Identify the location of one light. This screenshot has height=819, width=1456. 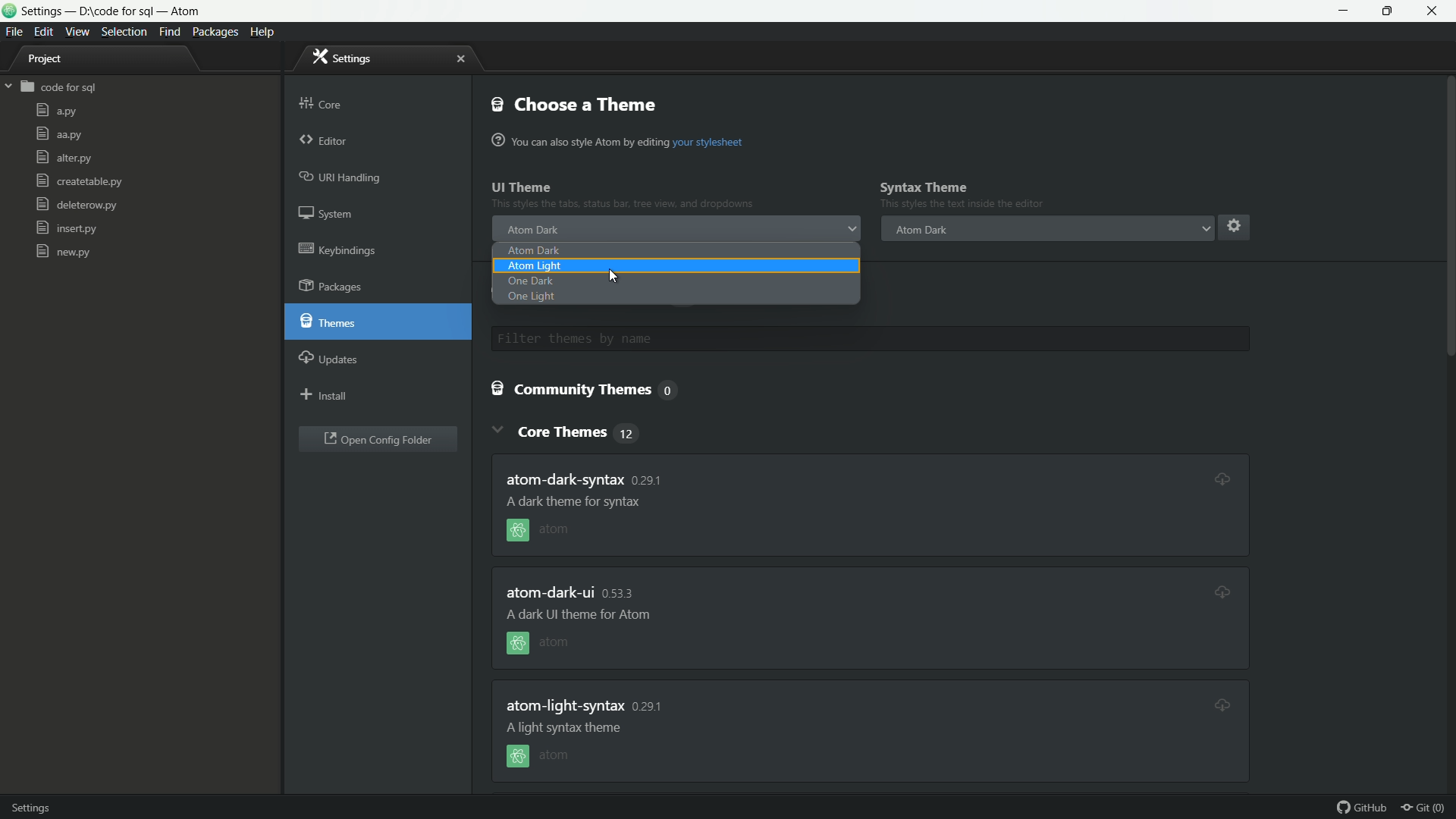
(532, 298).